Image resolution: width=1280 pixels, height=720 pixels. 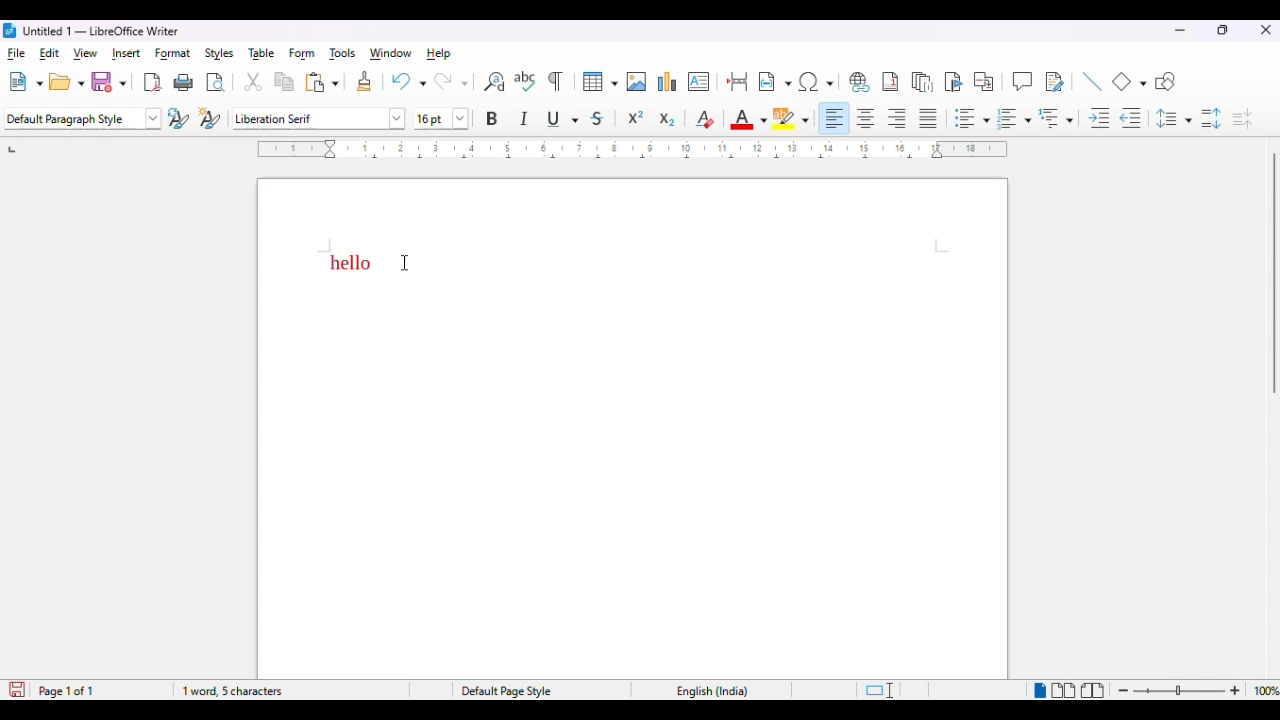 What do you see at coordinates (172, 54) in the screenshot?
I see `format` at bounding box center [172, 54].